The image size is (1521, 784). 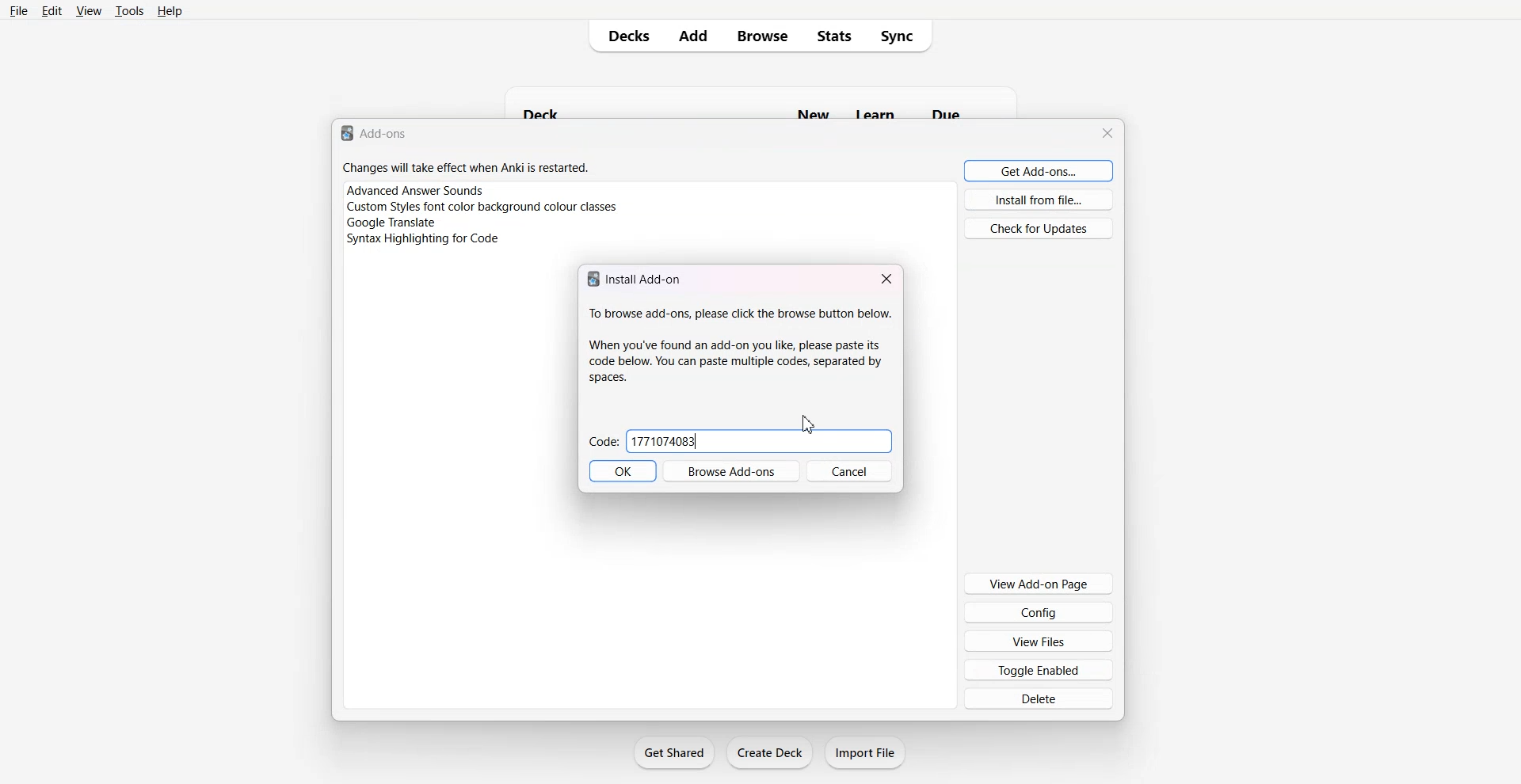 I want to click on Edit, so click(x=51, y=11).